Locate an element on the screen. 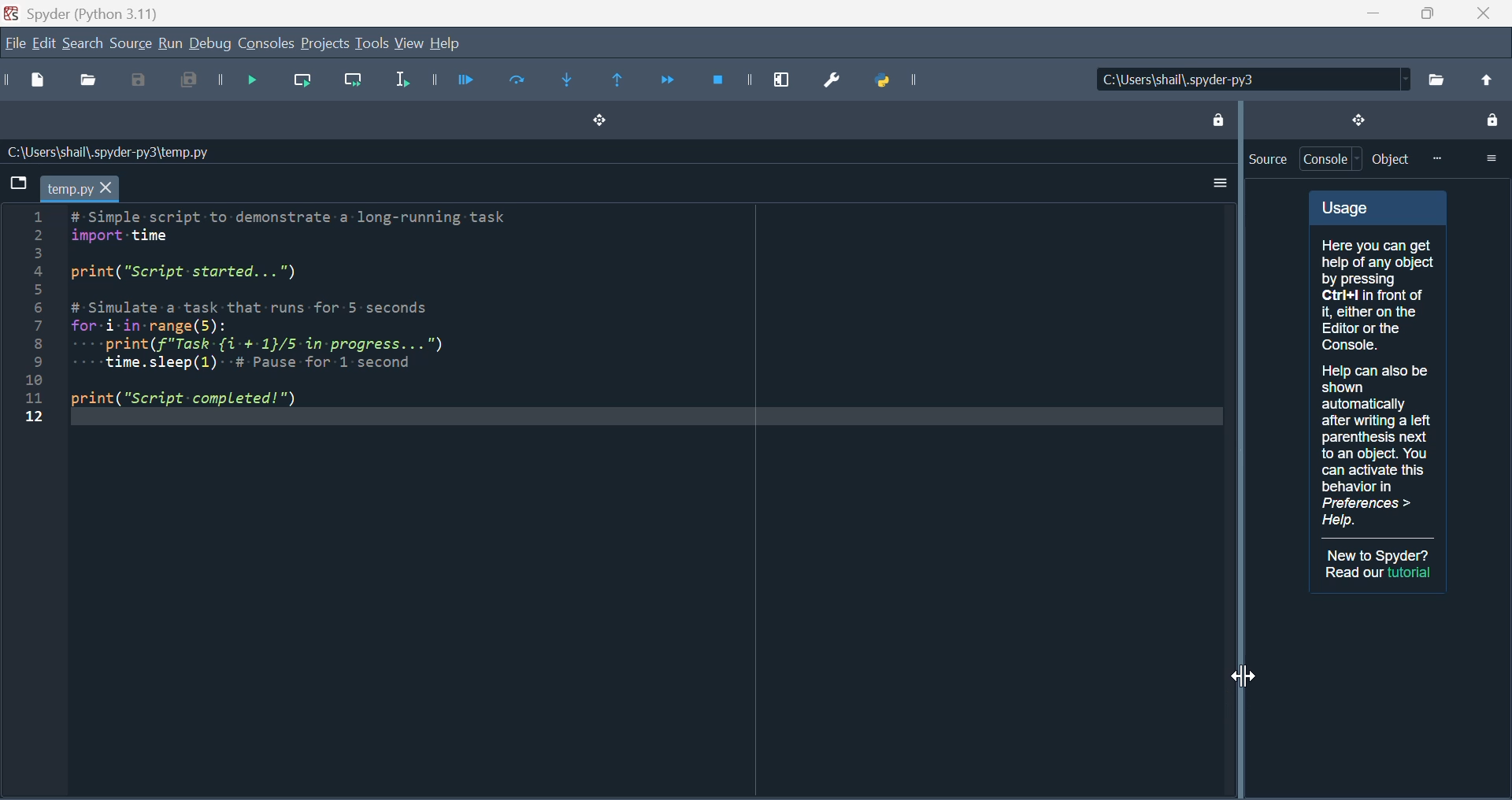 Image resolution: width=1512 pixels, height=800 pixels. Tools is located at coordinates (371, 43).